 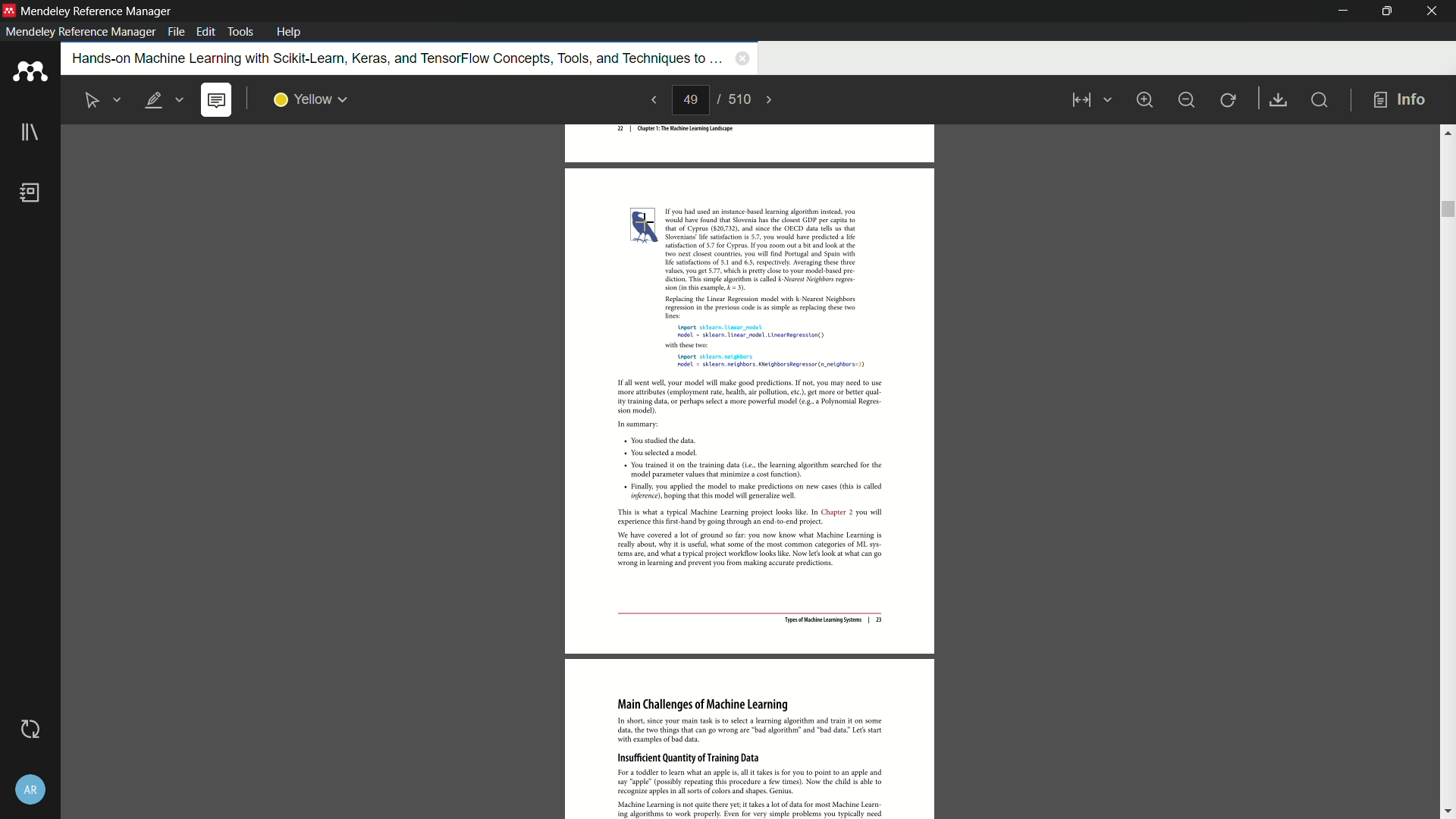 I want to click on current page, so click(x=692, y=101).